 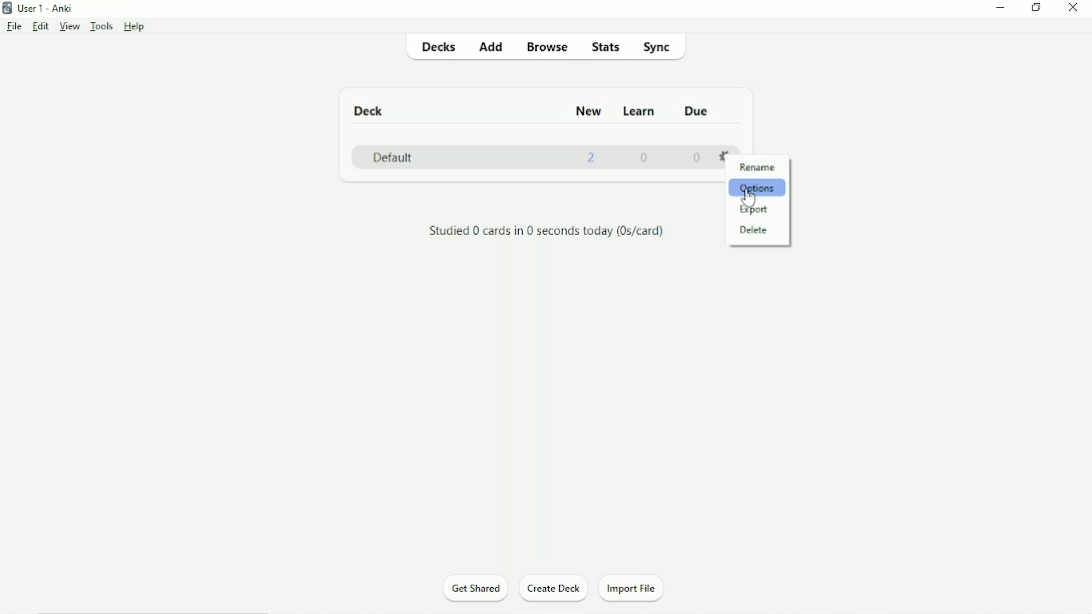 What do you see at coordinates (670, 48) in the screenshot?
I see `Sync` at bounding box center [670, 48].